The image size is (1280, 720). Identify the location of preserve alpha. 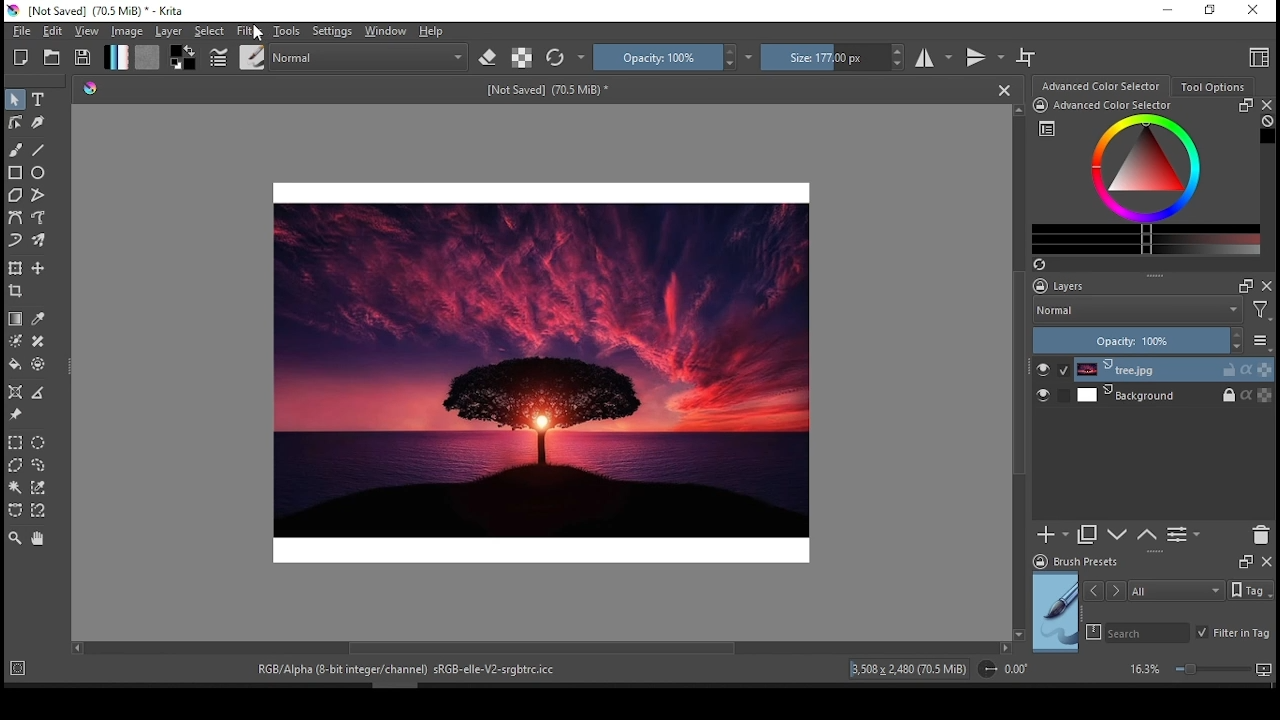
(521, 58).